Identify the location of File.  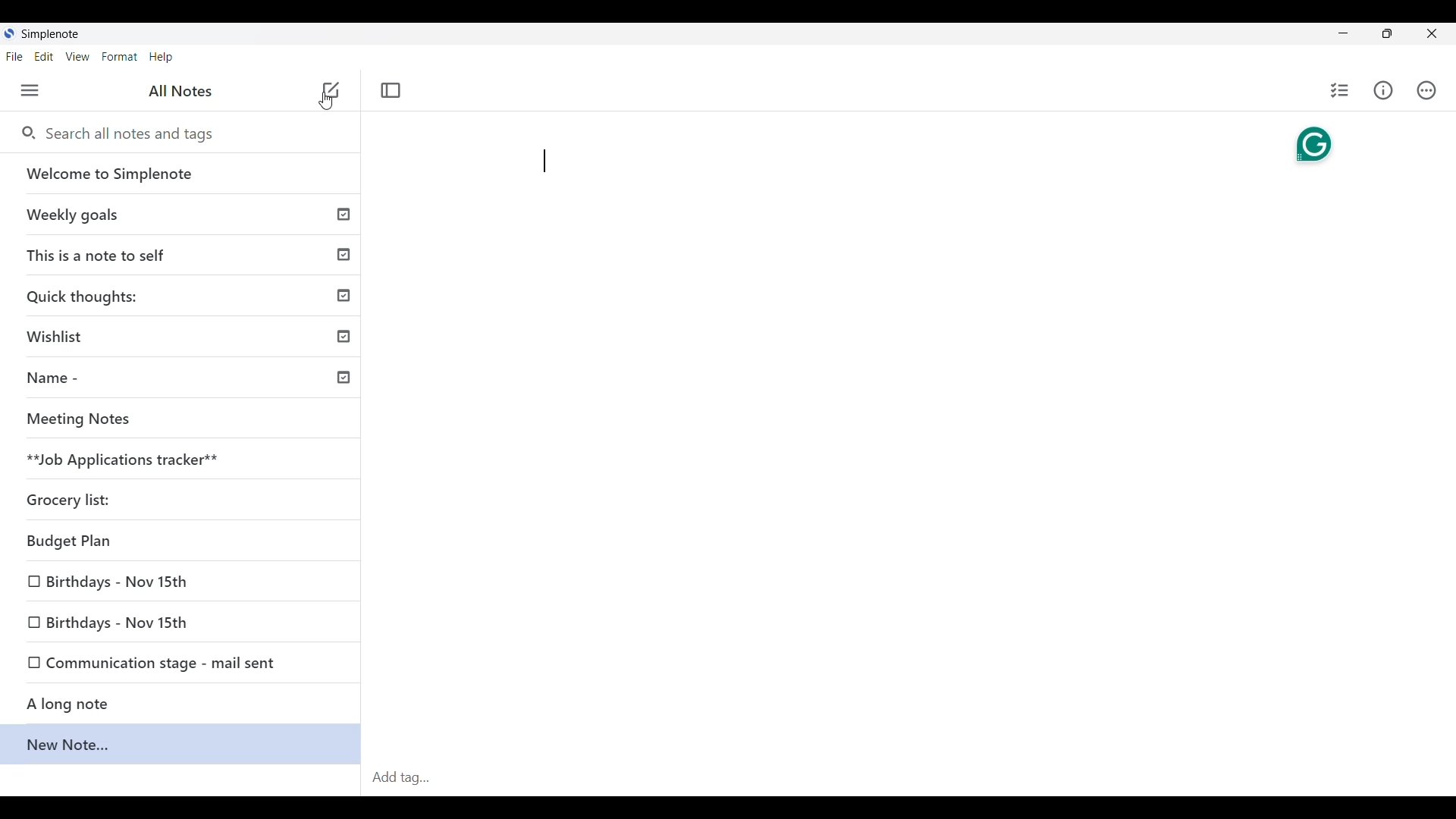
(14, 56).